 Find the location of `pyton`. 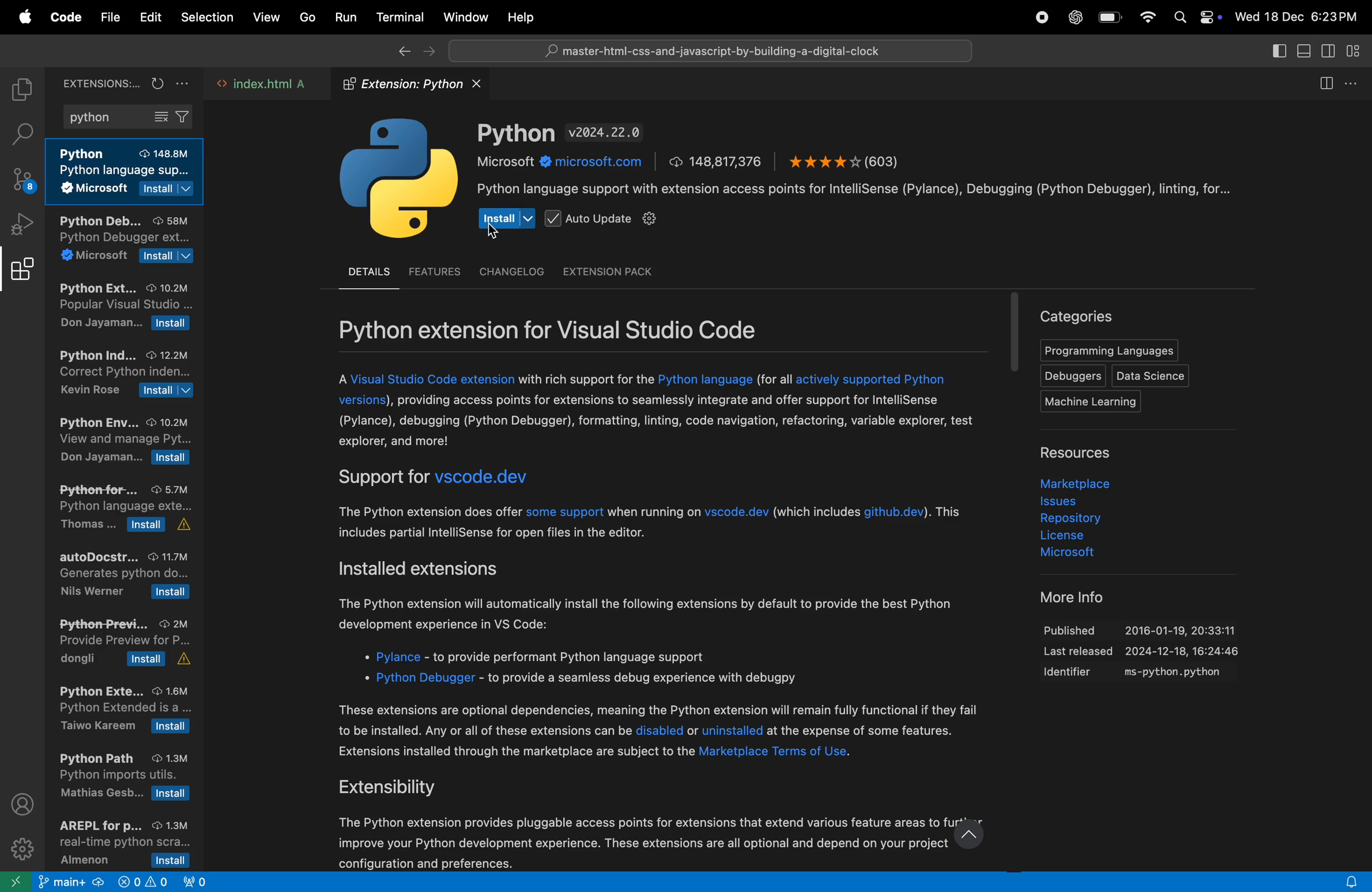

pyton is located at coordinates (517, 133).